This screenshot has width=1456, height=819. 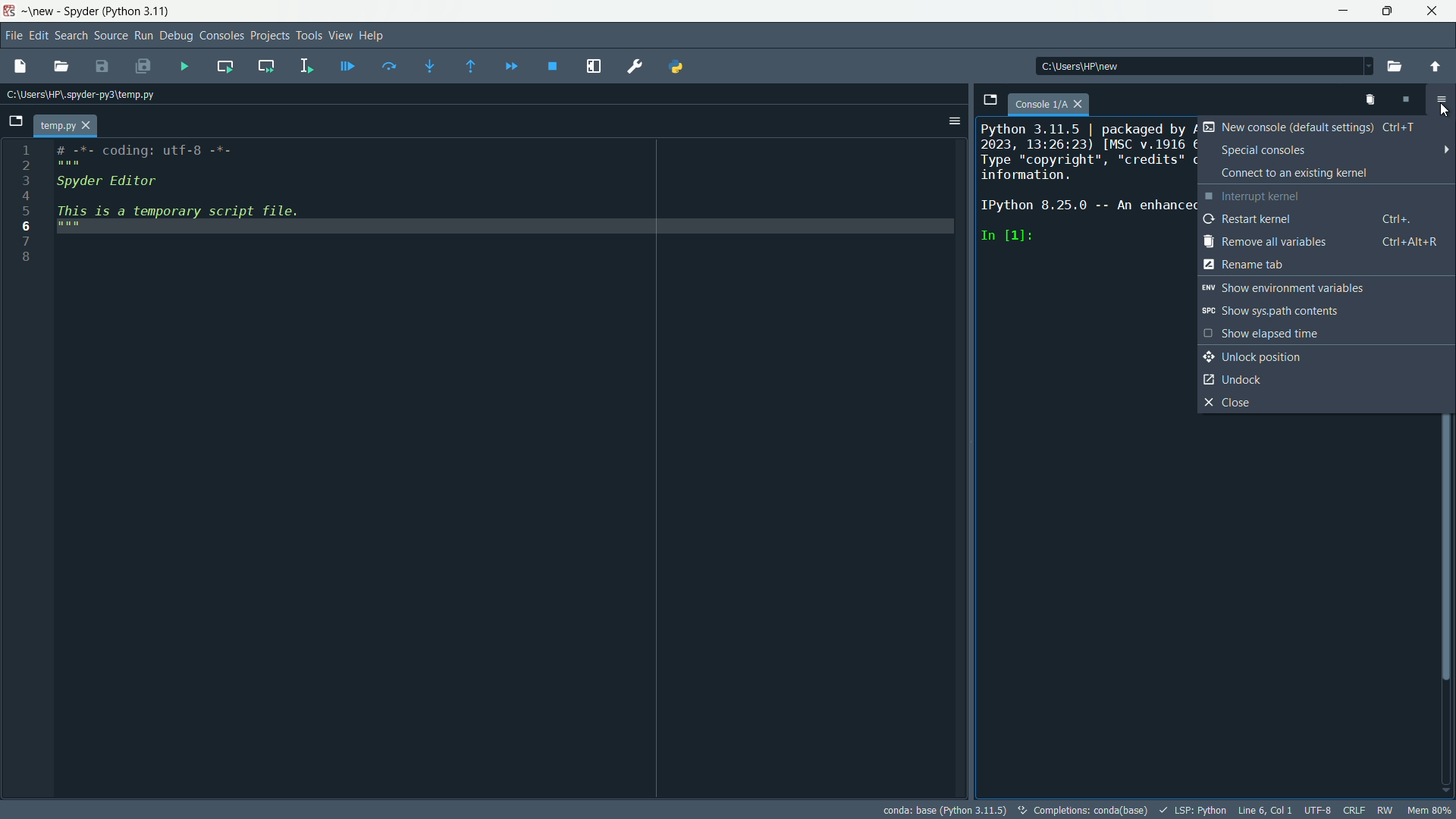 I want to click on options, so click(x=949, y=121).